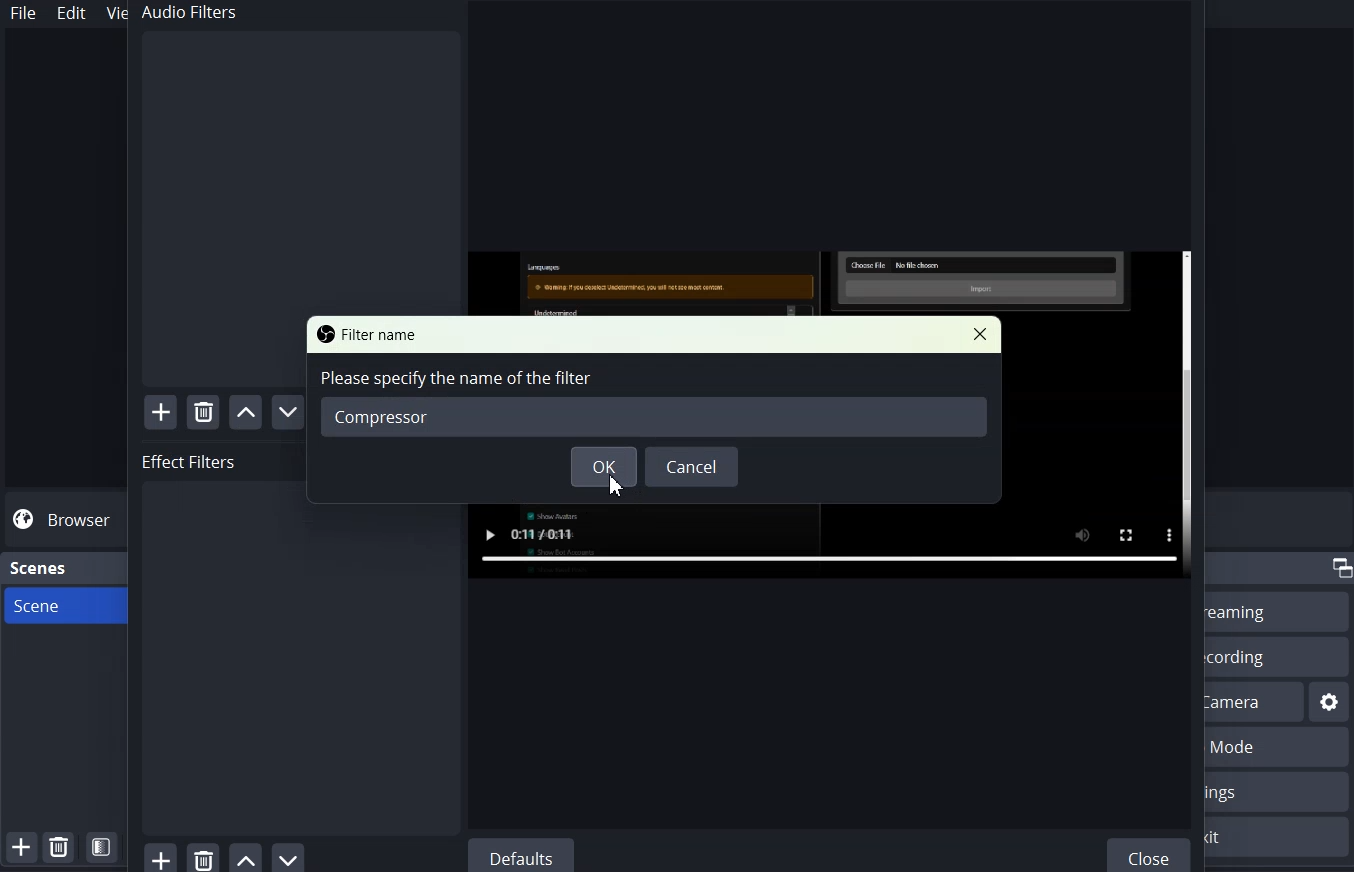 The height and width of the screenshot is (872, 1354). What do you see at coordinates (246, 857) in the screenshot?
I see `Move Filter Up` at bounding box center [246, 857].